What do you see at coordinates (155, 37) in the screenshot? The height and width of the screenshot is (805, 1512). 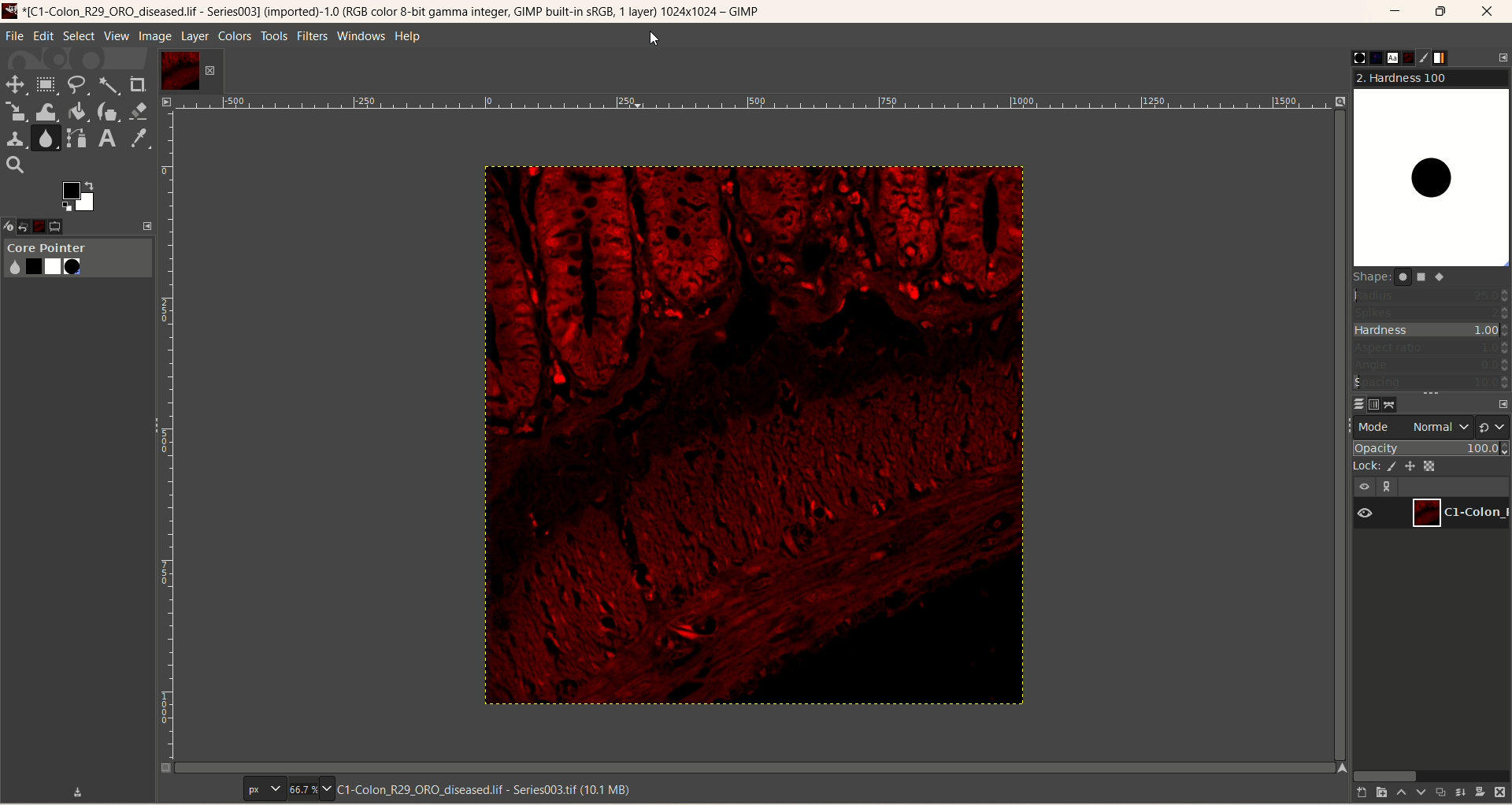 I see `image` at bounding box center [155, 37].